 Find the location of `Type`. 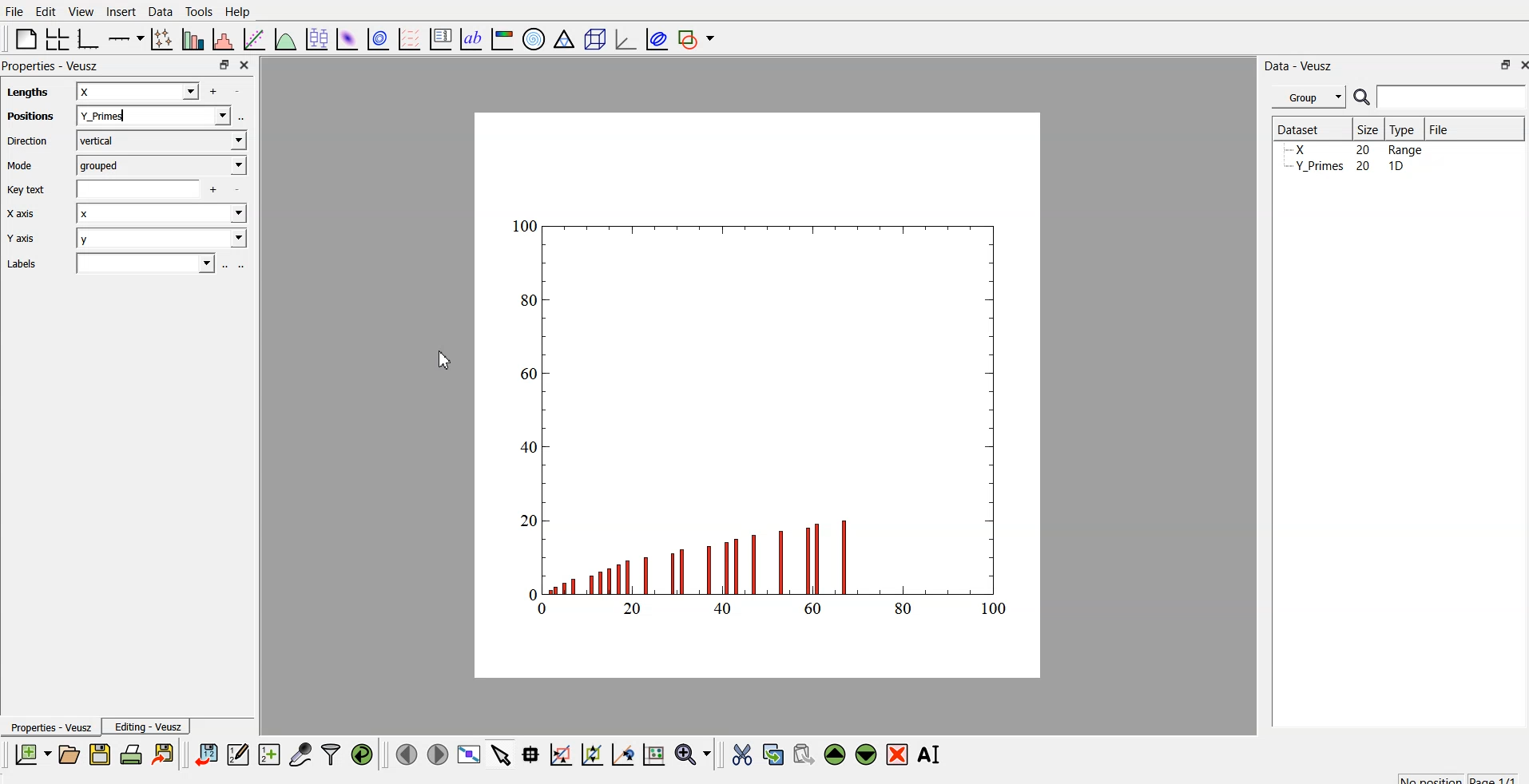

Type is located at coordinates (1406, 129).